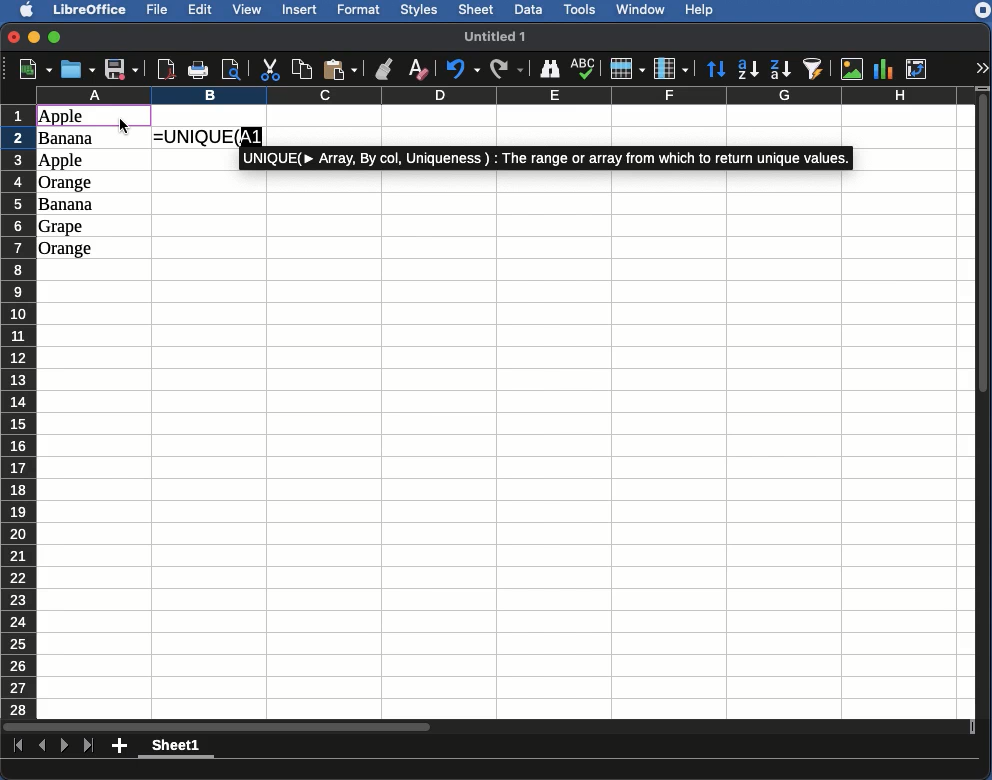 The width and height of the screenshot is (992, 780). I want to click on Expand, so click(983, 68).